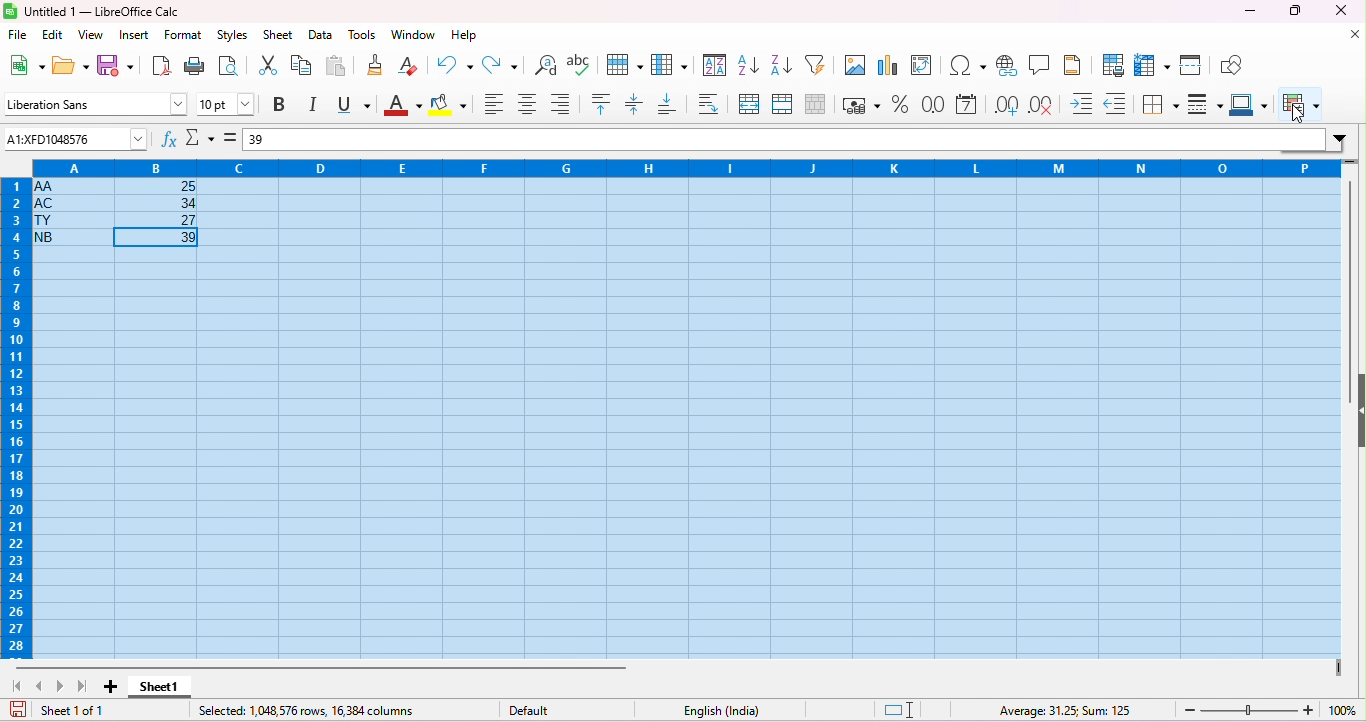 This screenshot has height=722, width=1366. Describe the element at coordinates (813, 103) in the screenshot. I see `unmerge` at that location.